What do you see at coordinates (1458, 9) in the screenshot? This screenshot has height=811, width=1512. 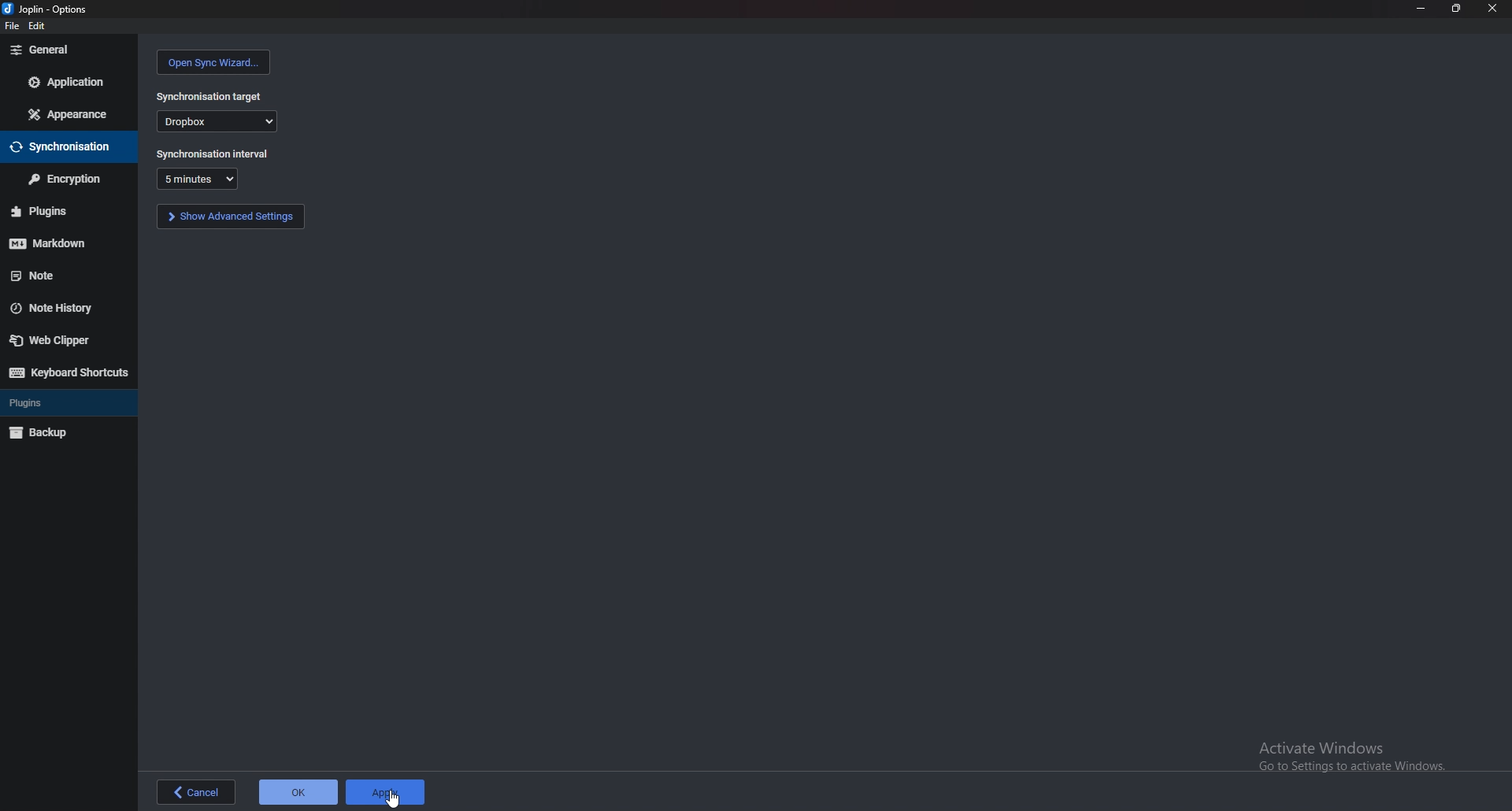 I see `resize` at bounding box center [1458, 9].